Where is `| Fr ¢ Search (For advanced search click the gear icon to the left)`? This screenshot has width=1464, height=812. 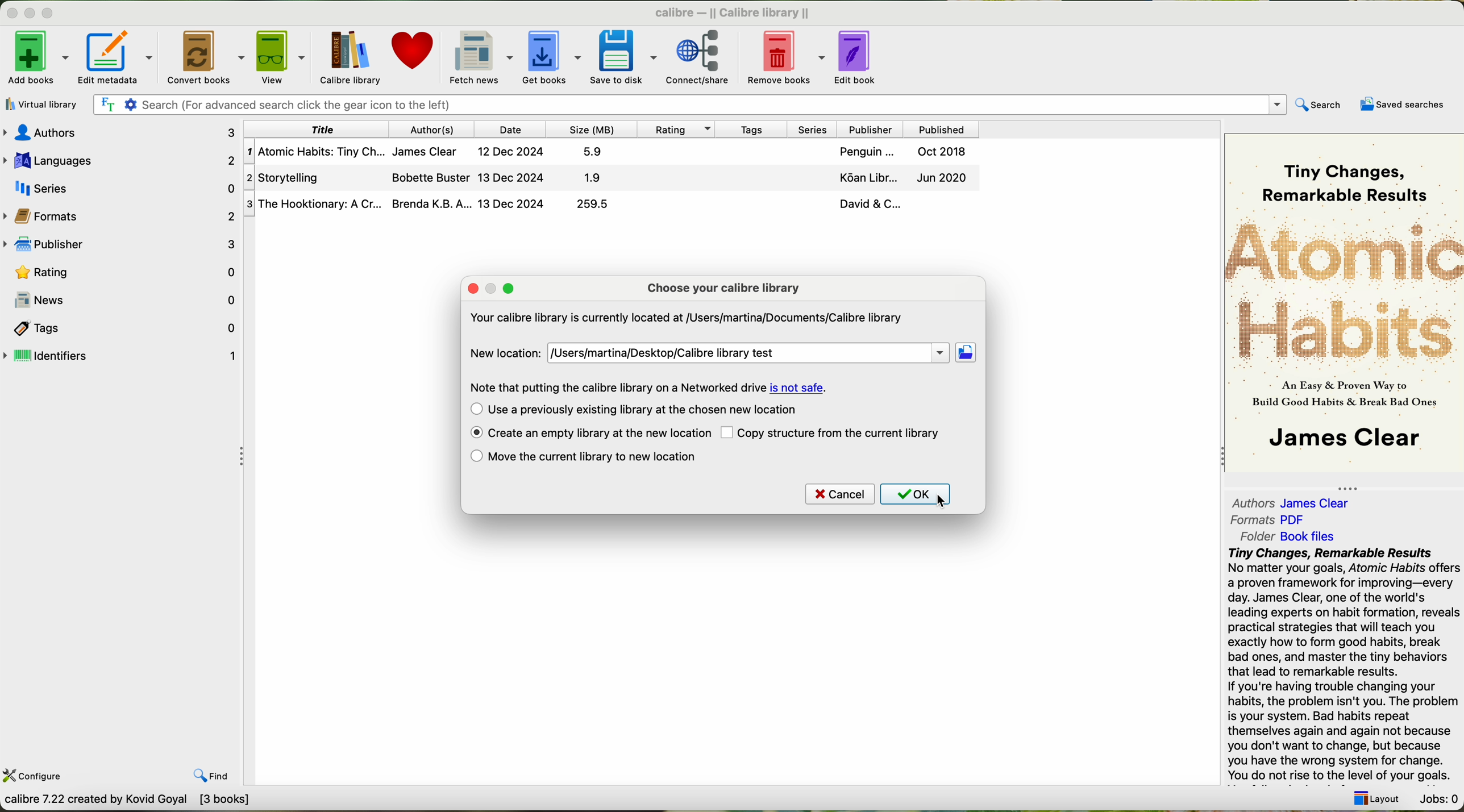 | Fr ¢ Search (For advanced search click the gear icon to the left) is located at coordinates (685, 103).